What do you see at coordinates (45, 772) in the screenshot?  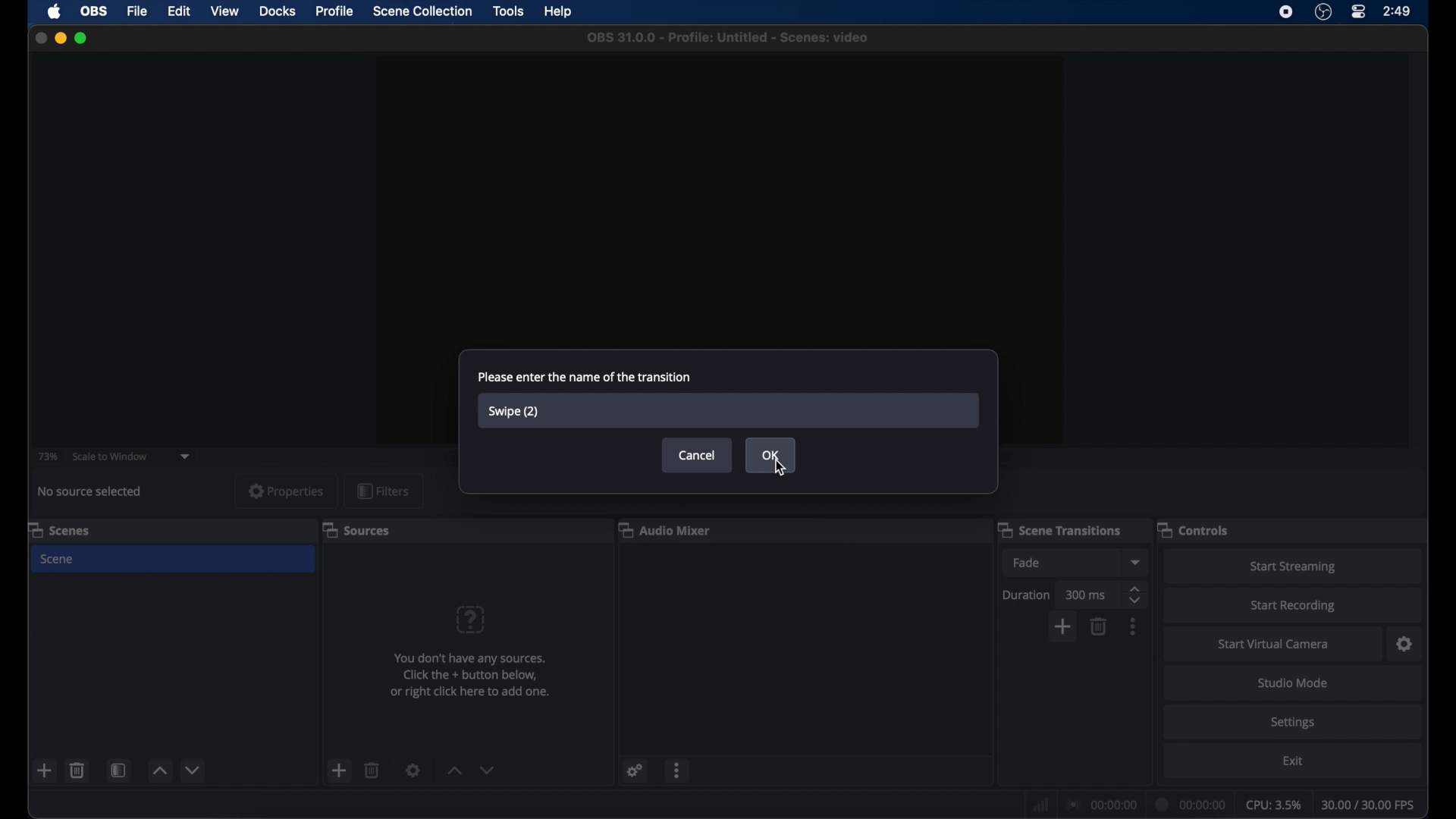 I see `add` at bounding box center [45, 772].